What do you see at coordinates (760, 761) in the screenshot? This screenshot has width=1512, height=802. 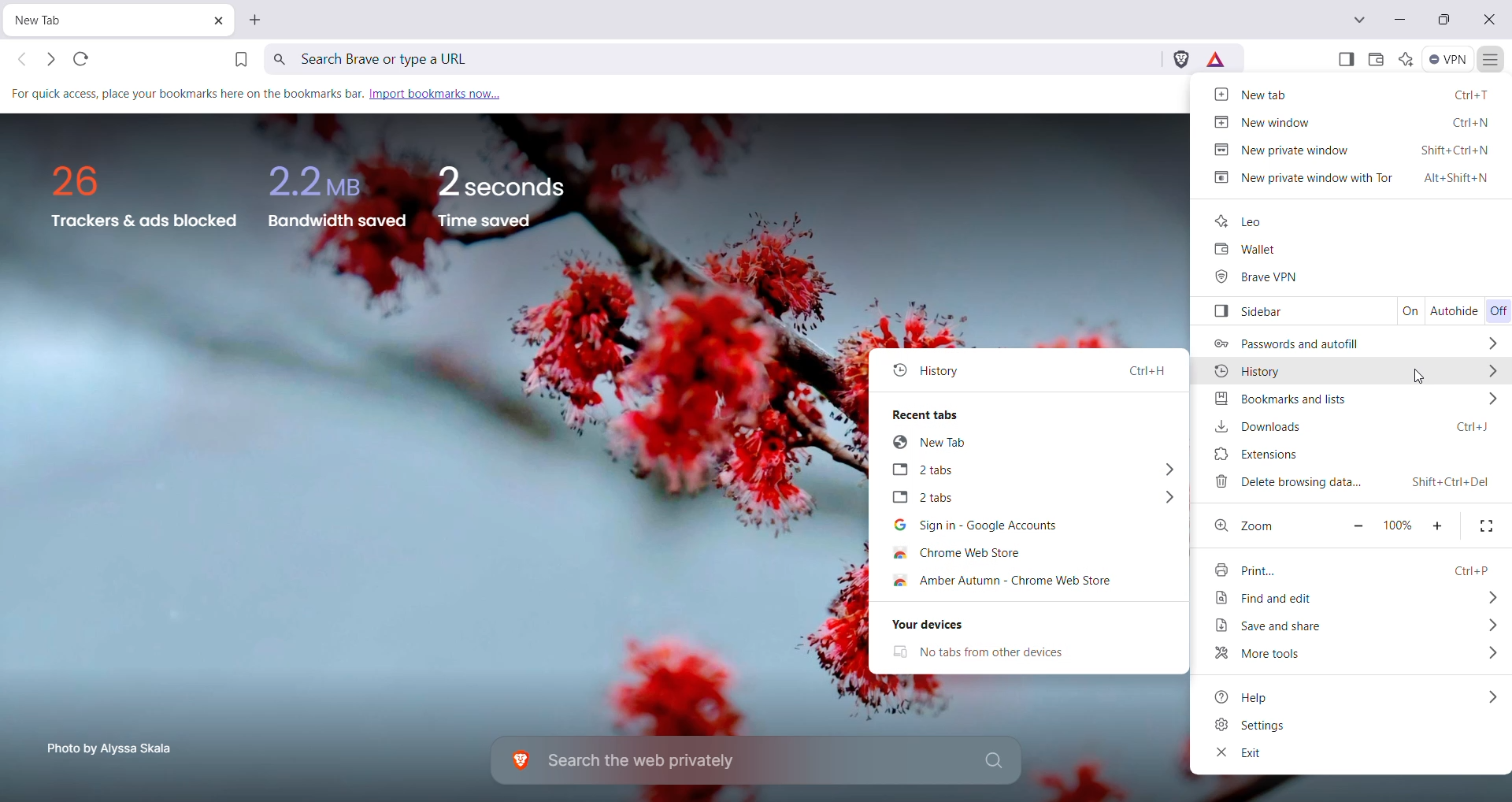 I see `Search the web privately` at bounding box center [760, 761].